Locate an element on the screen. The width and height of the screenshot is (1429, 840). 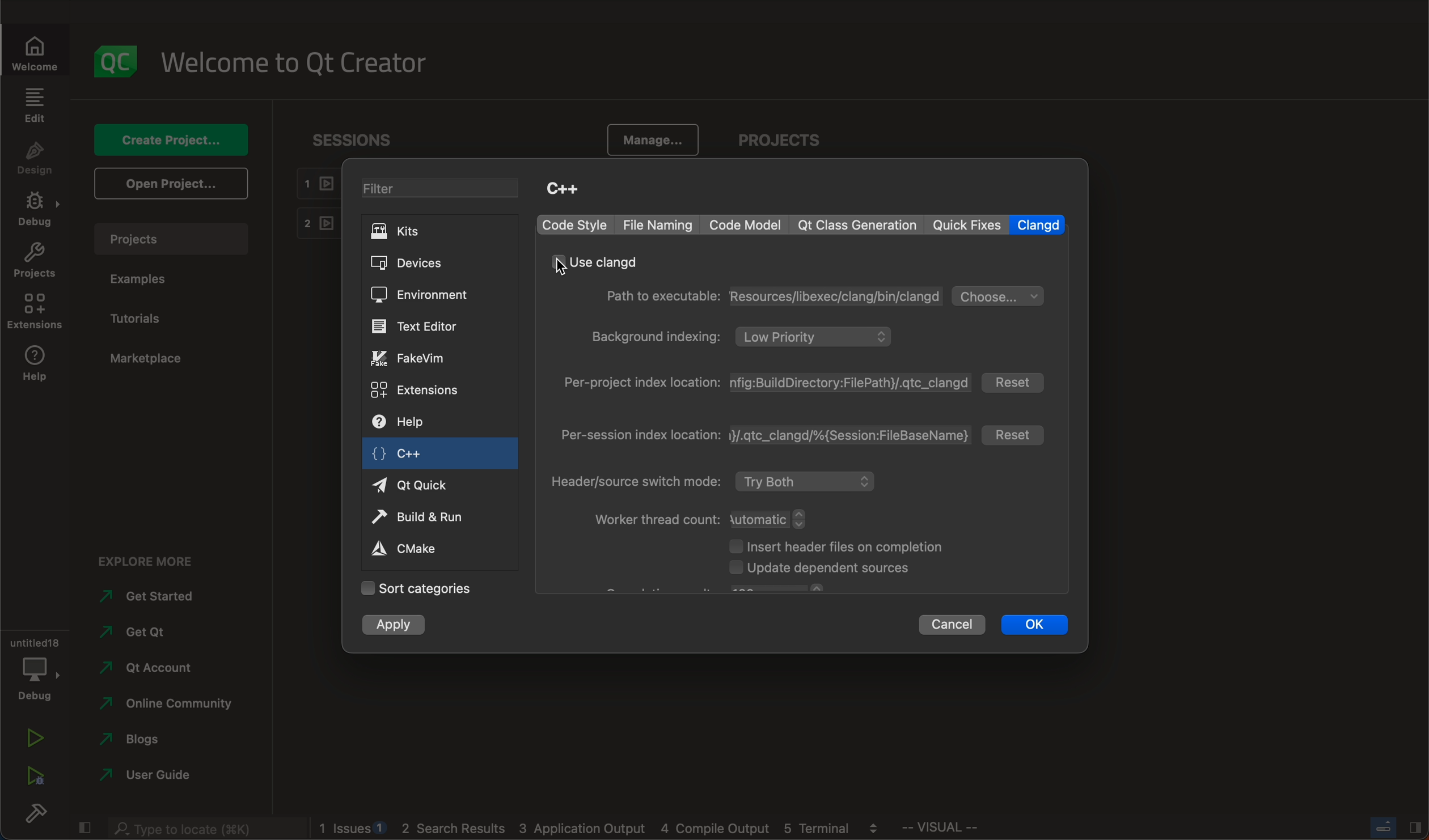
welcome is located at coordinates (307, 60).